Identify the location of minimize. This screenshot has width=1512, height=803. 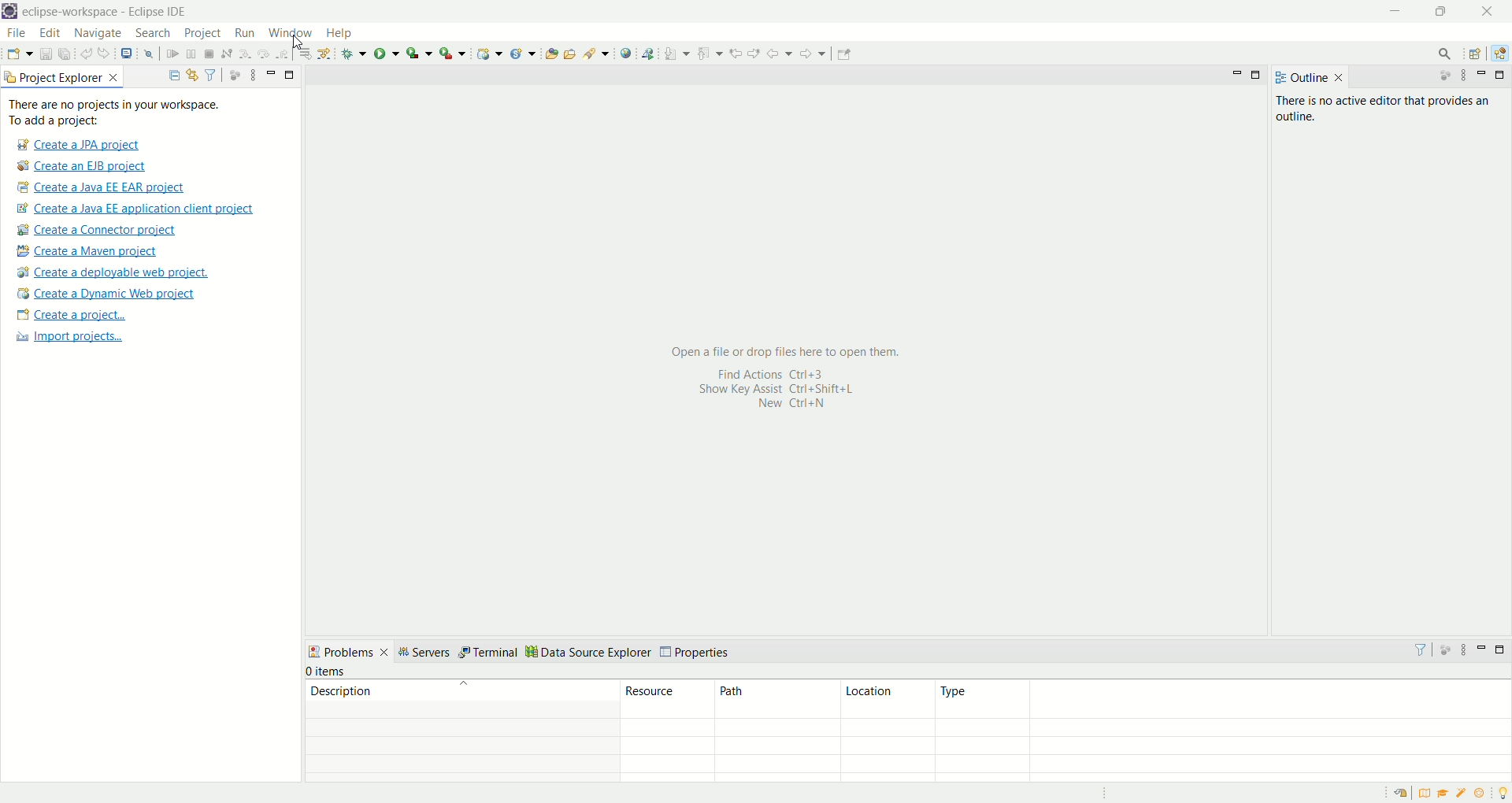
(1482, 647).